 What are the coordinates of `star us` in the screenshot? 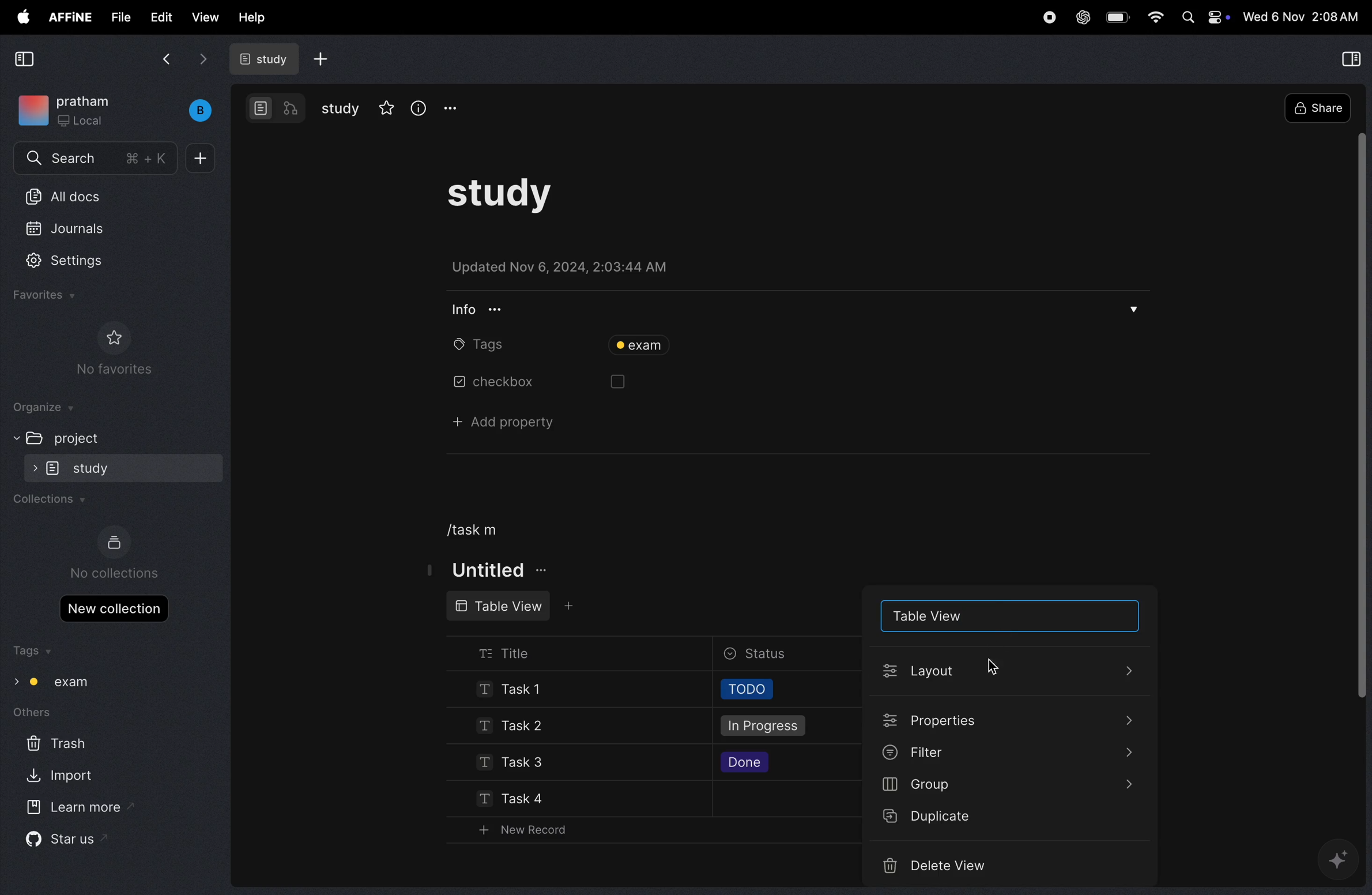 It's located at (64, 842).